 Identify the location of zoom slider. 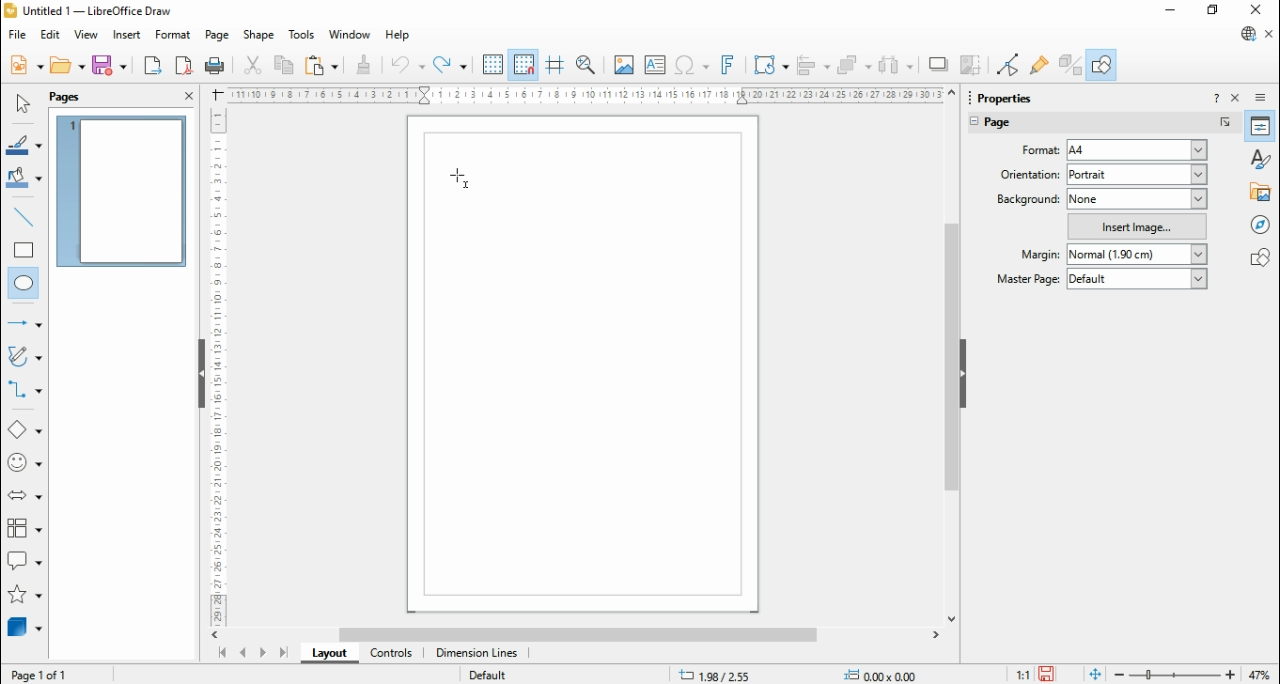
(1175, 675).